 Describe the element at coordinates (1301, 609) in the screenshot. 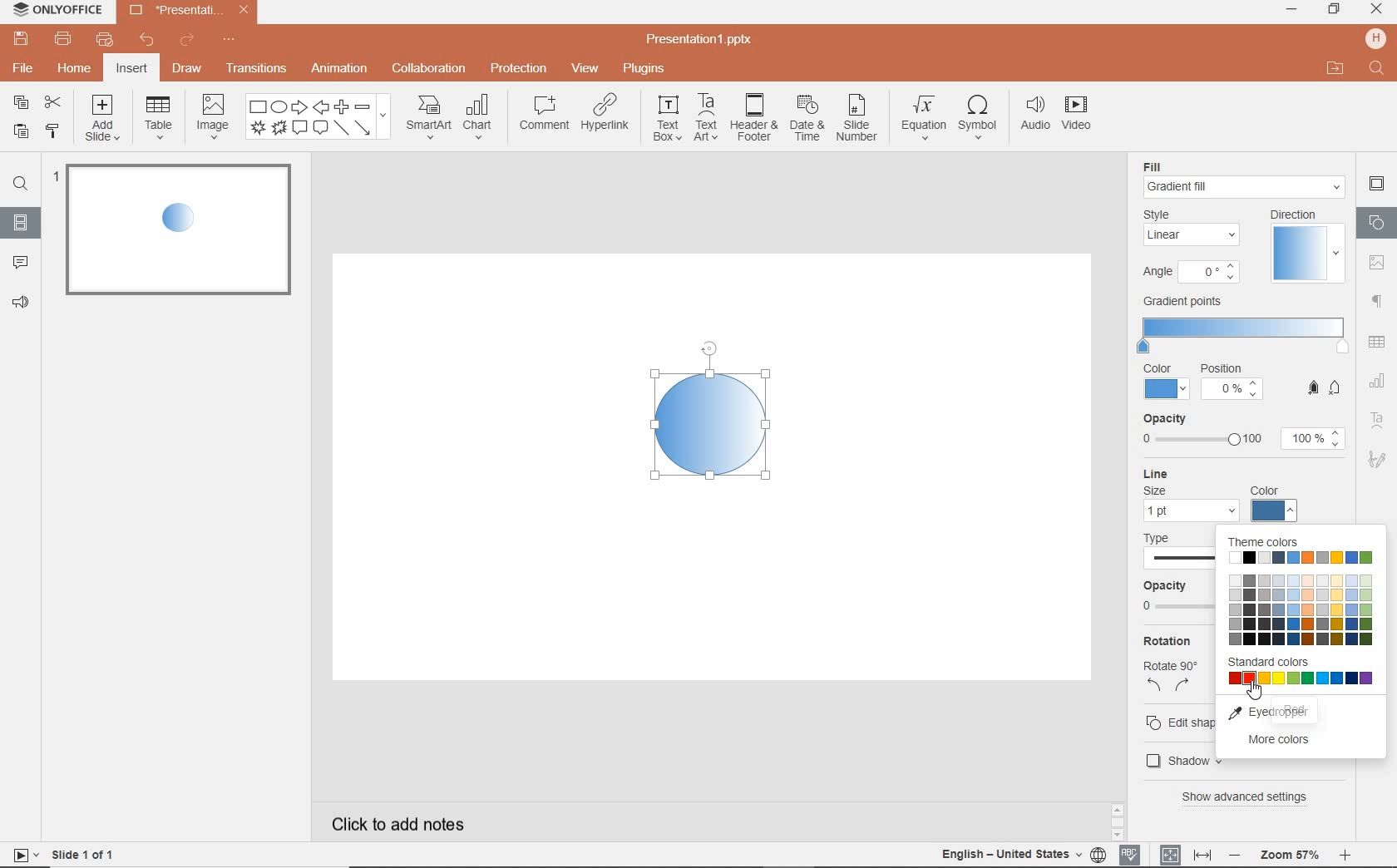

I see `theme colors` at that location.